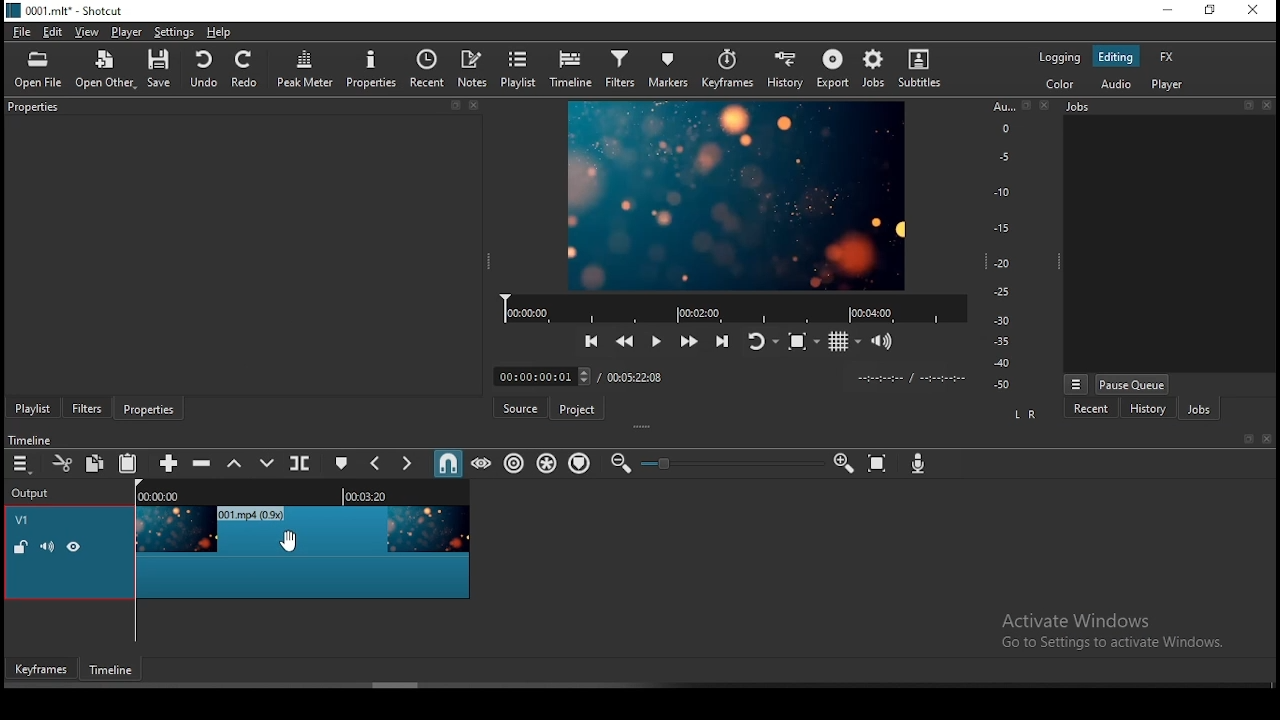 Image resolution: width=1280 pixels, height=720 pixels. I want to click on preview, so click(737, 193).